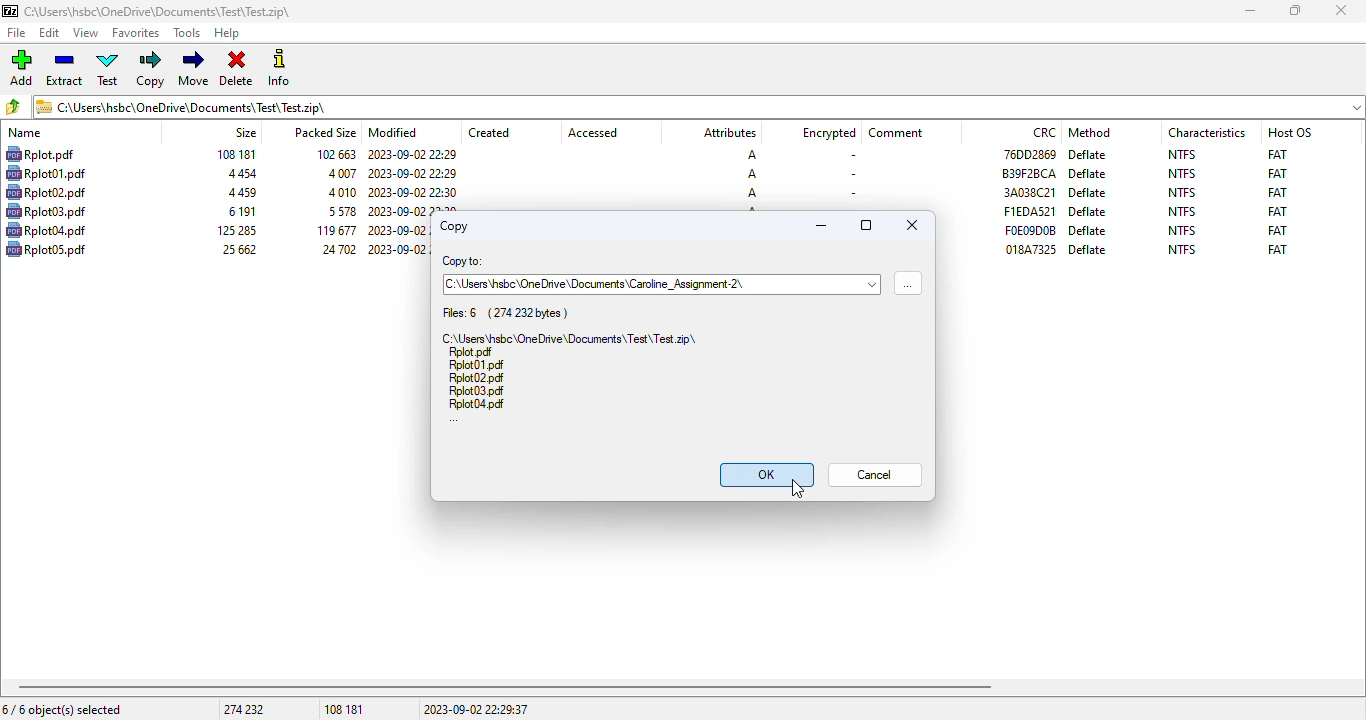 The height and width of the screenshot is (720, 1366). What do you see at coordinates (476, 366) in the screenshot?
I see `file` at bounding box center [476, 366].